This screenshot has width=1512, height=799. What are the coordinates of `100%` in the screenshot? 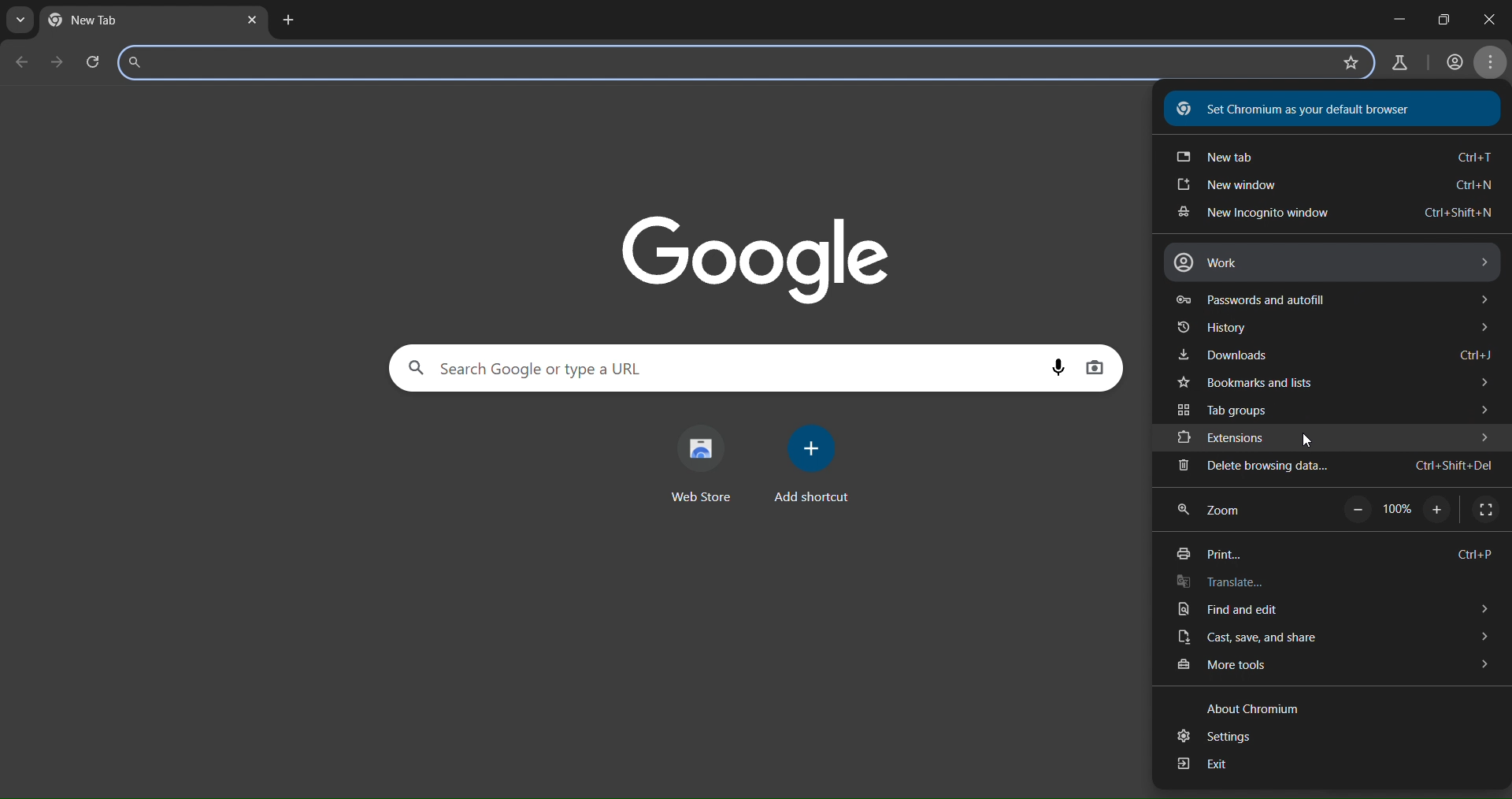 It's located at (1396, 511).